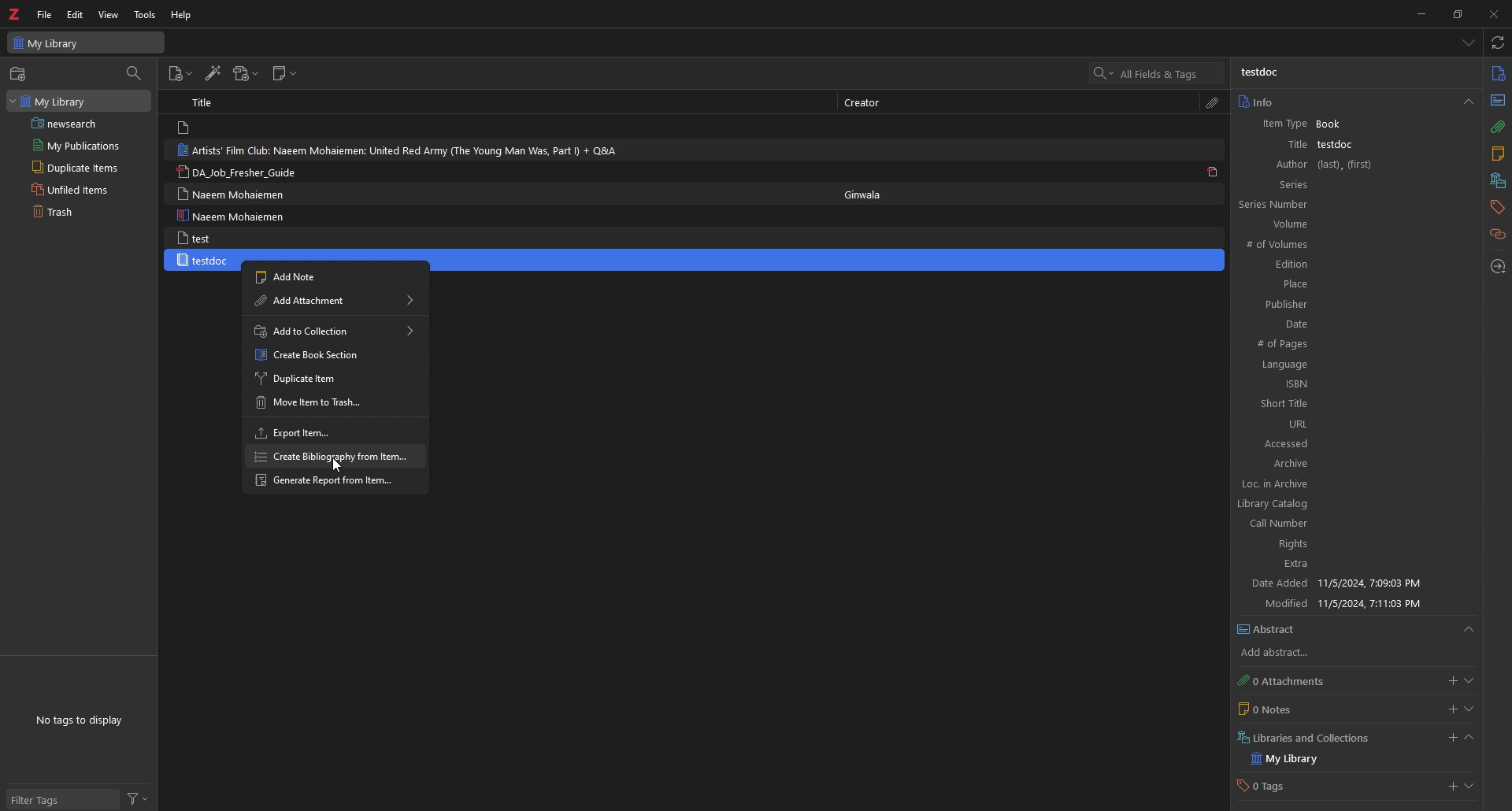  I want to click on Book, so click(1336, 124).